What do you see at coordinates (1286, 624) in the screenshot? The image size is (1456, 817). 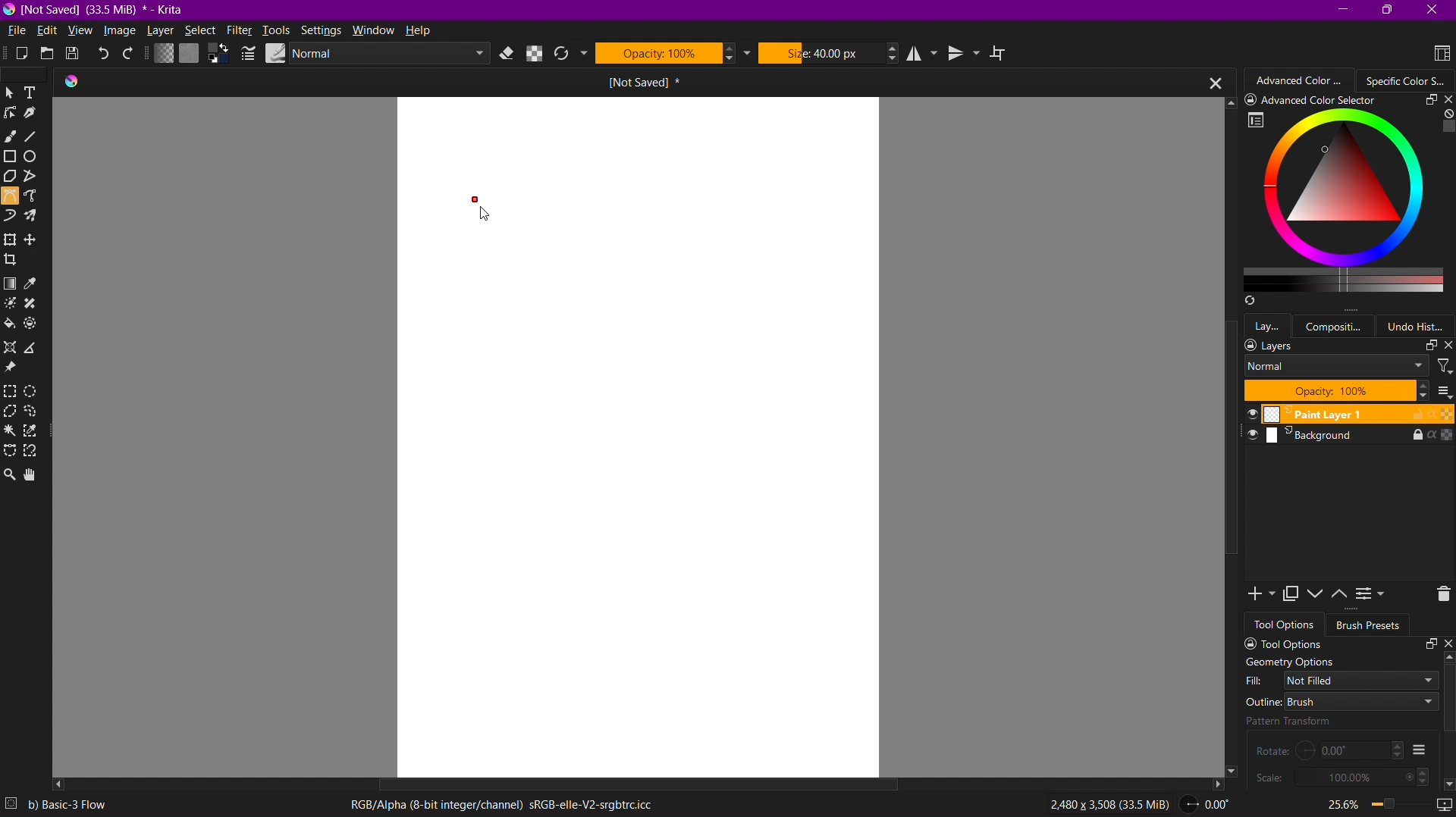 I see `Tool Options` at bounding box center [1286, 624].